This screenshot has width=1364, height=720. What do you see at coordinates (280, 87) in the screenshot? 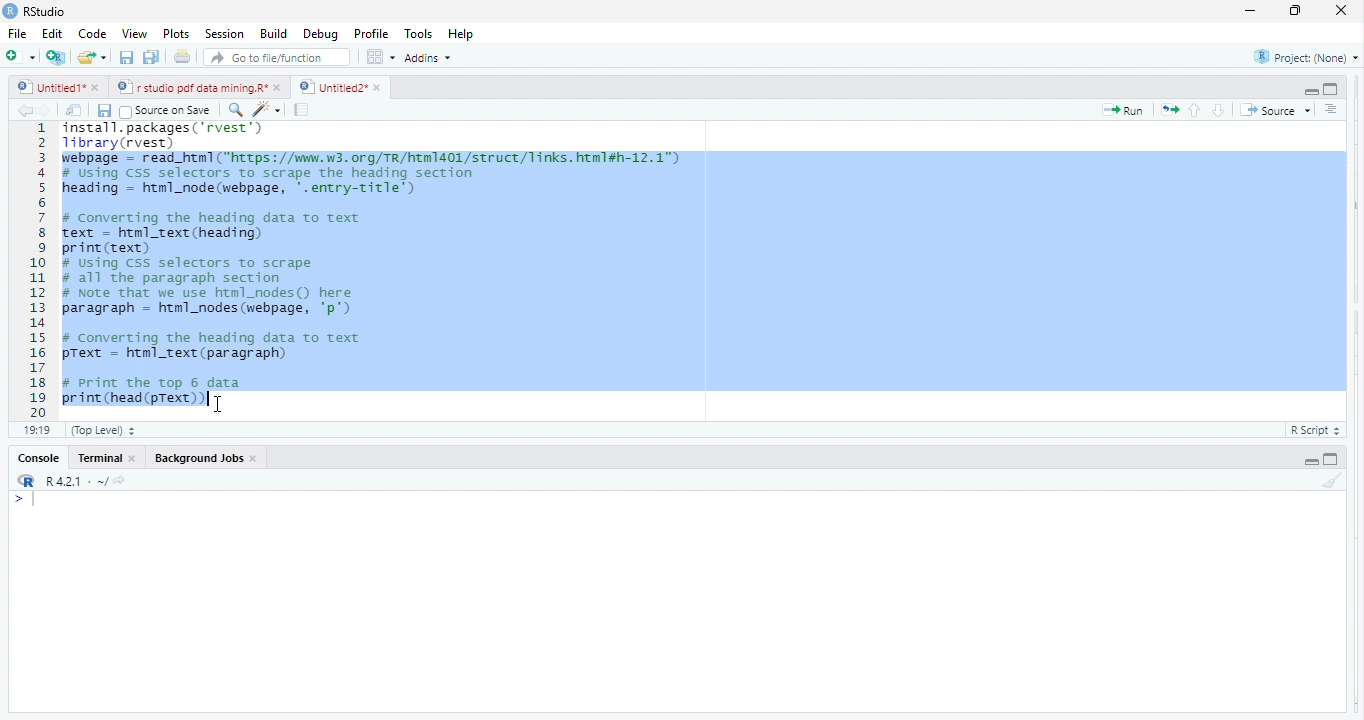
I see `close` at bounding box center [280, 87].